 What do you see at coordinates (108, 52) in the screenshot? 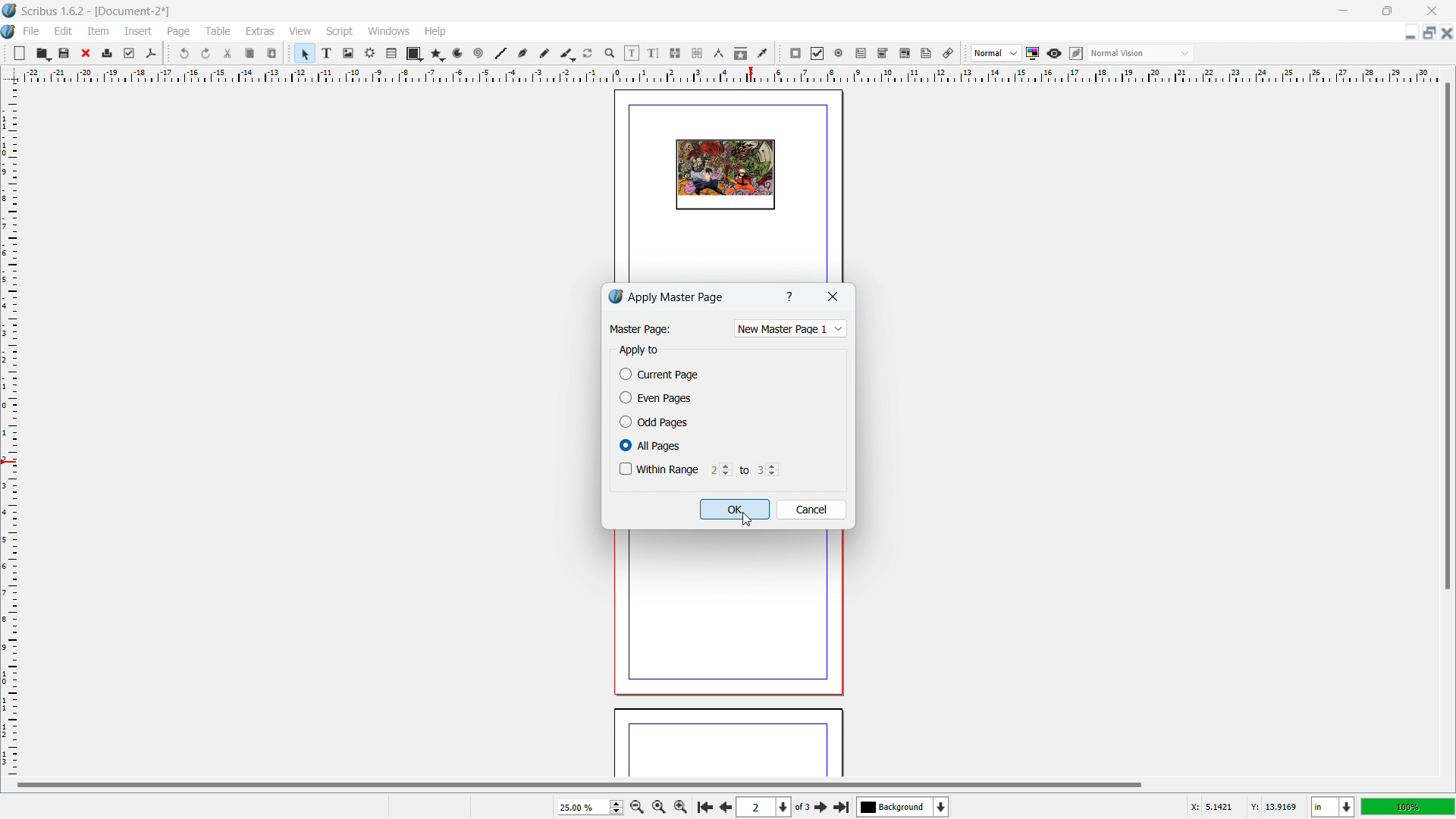
I see `print` at bounding box center [108, 52].